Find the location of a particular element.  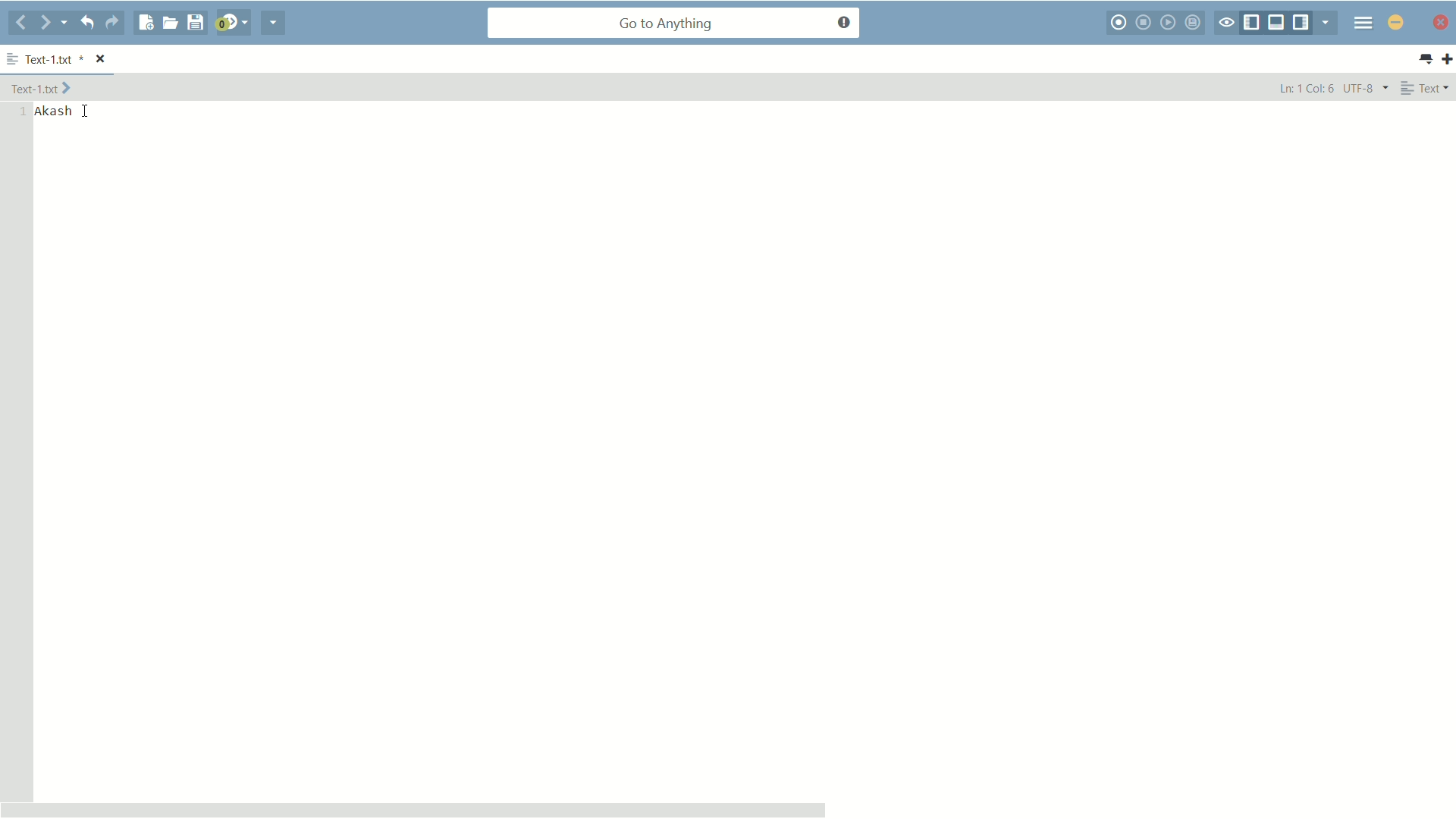

close app is located at coordinates (1439, 22).